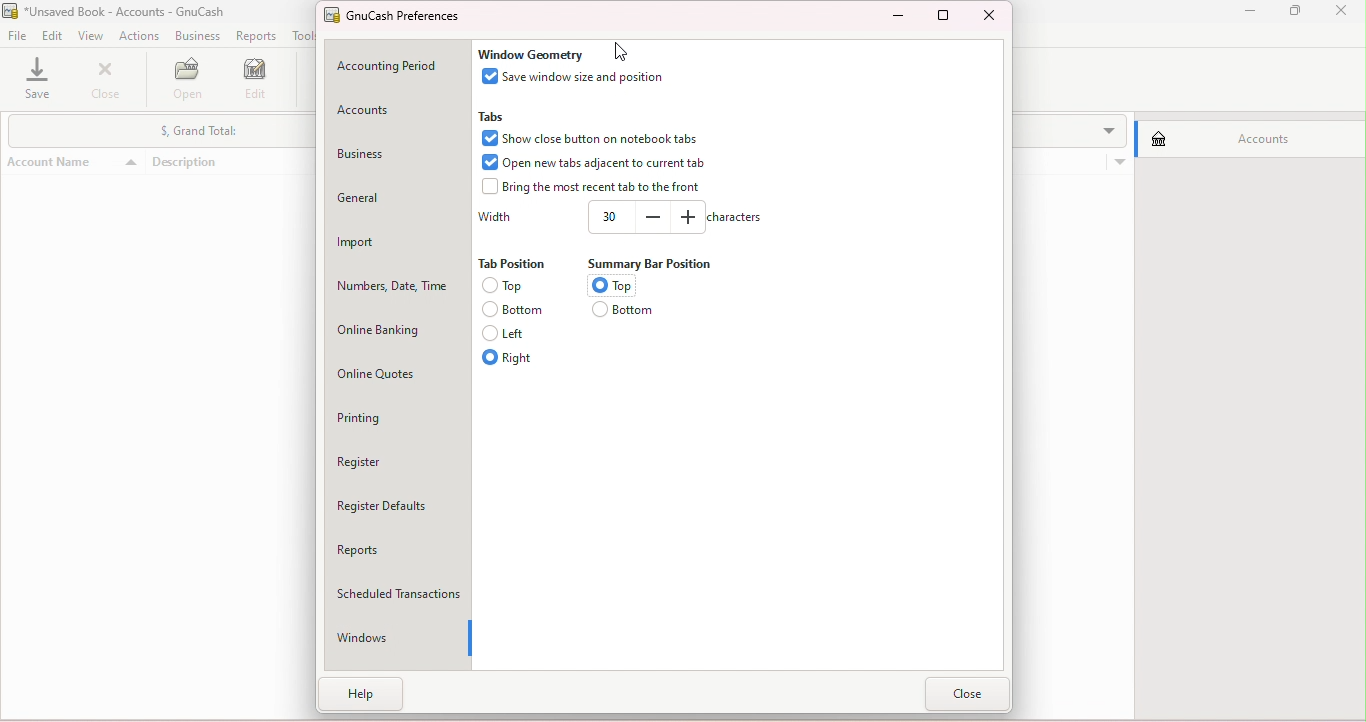  I want to click on top, so click(516, 285).